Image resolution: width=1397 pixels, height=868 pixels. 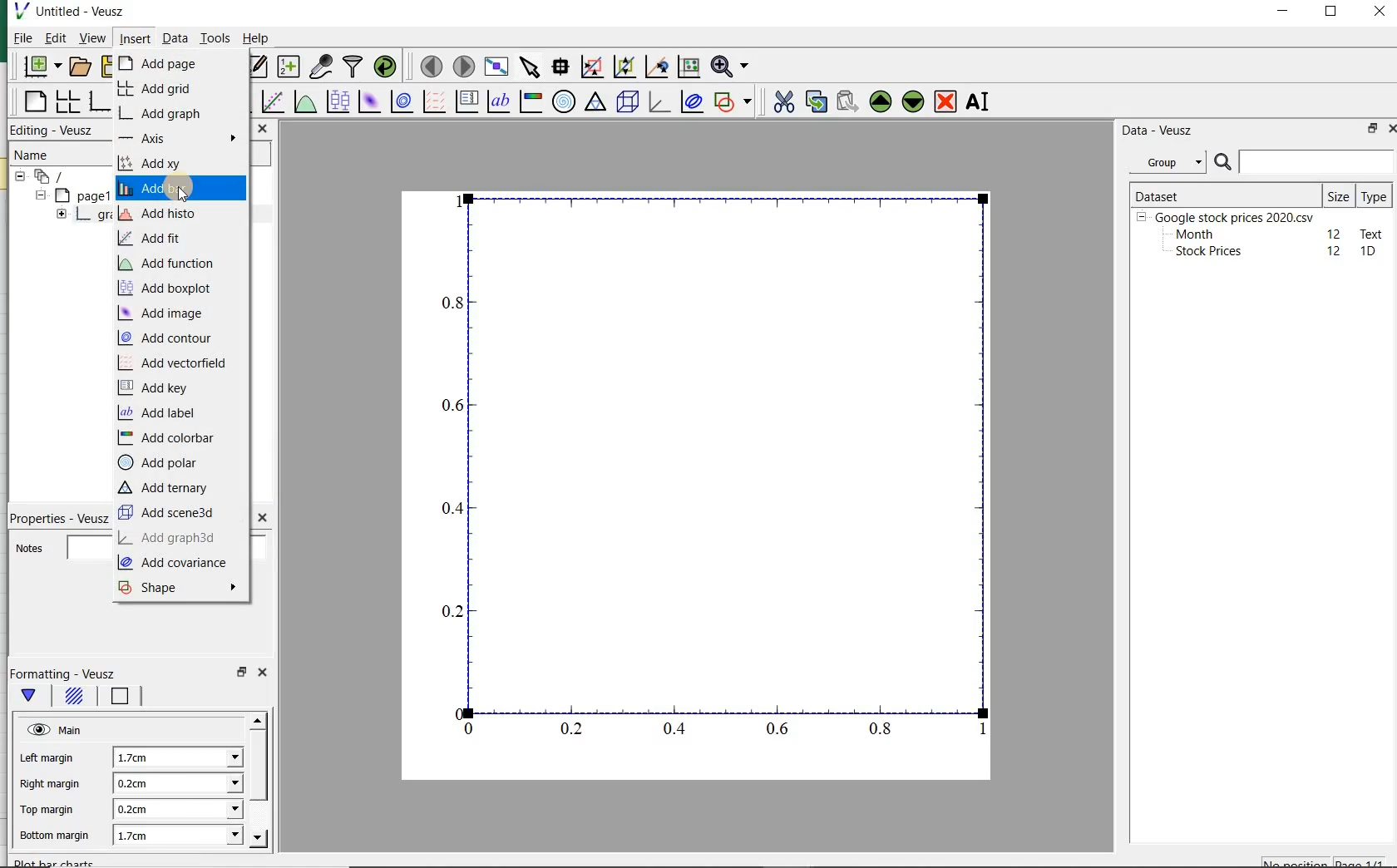 What do you see at coordinates (156, 388) in the screenshot?
I see `add key` at bounding box center [156, 388].